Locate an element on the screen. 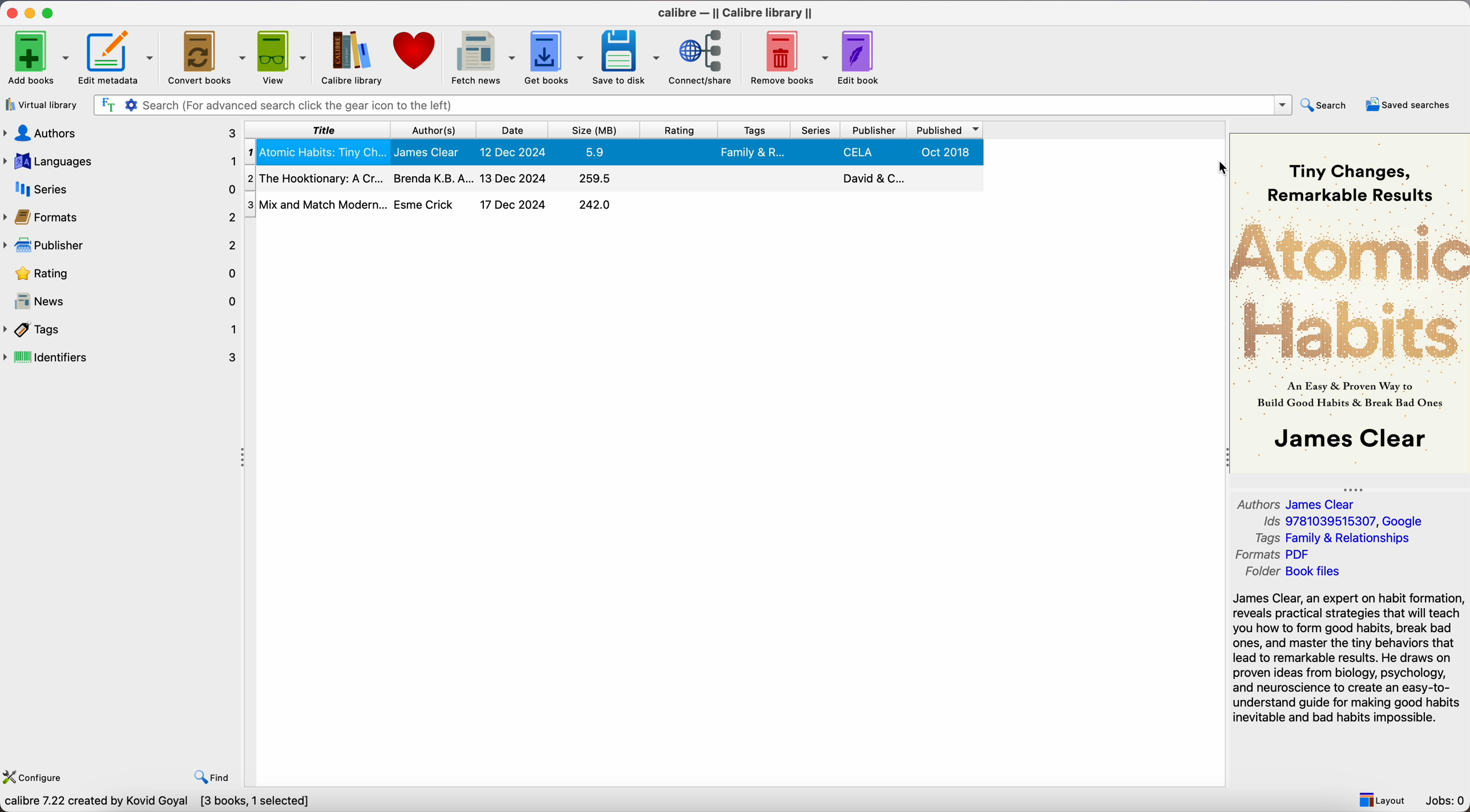  rating is located at coordinates (125, 274).